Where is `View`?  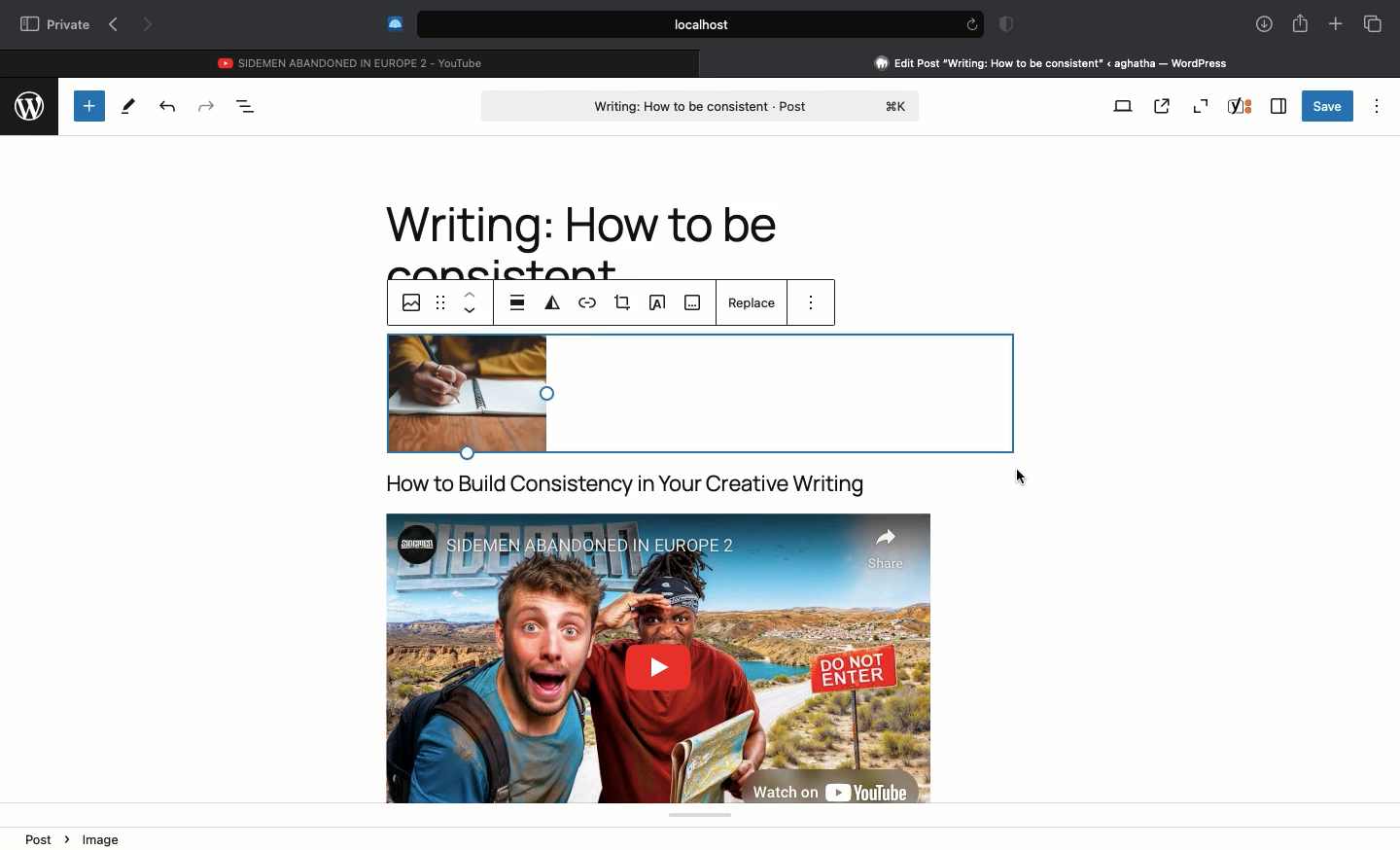 View is located at coordinates (1124, 104).